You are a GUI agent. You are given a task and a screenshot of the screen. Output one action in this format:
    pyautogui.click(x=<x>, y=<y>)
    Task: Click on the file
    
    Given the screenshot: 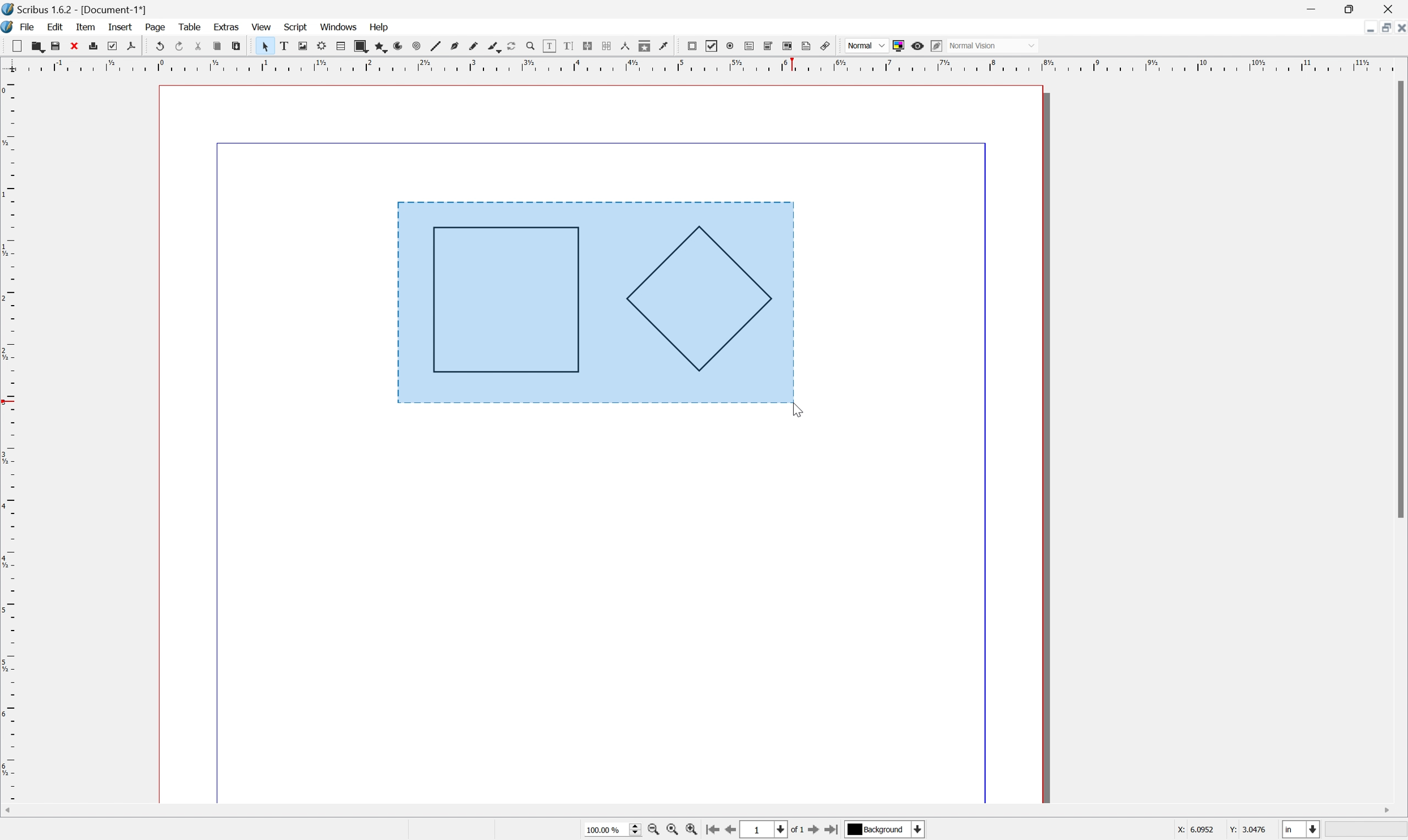 What is the action you would take?
    pyautogui.click(x=29, y=26)
    